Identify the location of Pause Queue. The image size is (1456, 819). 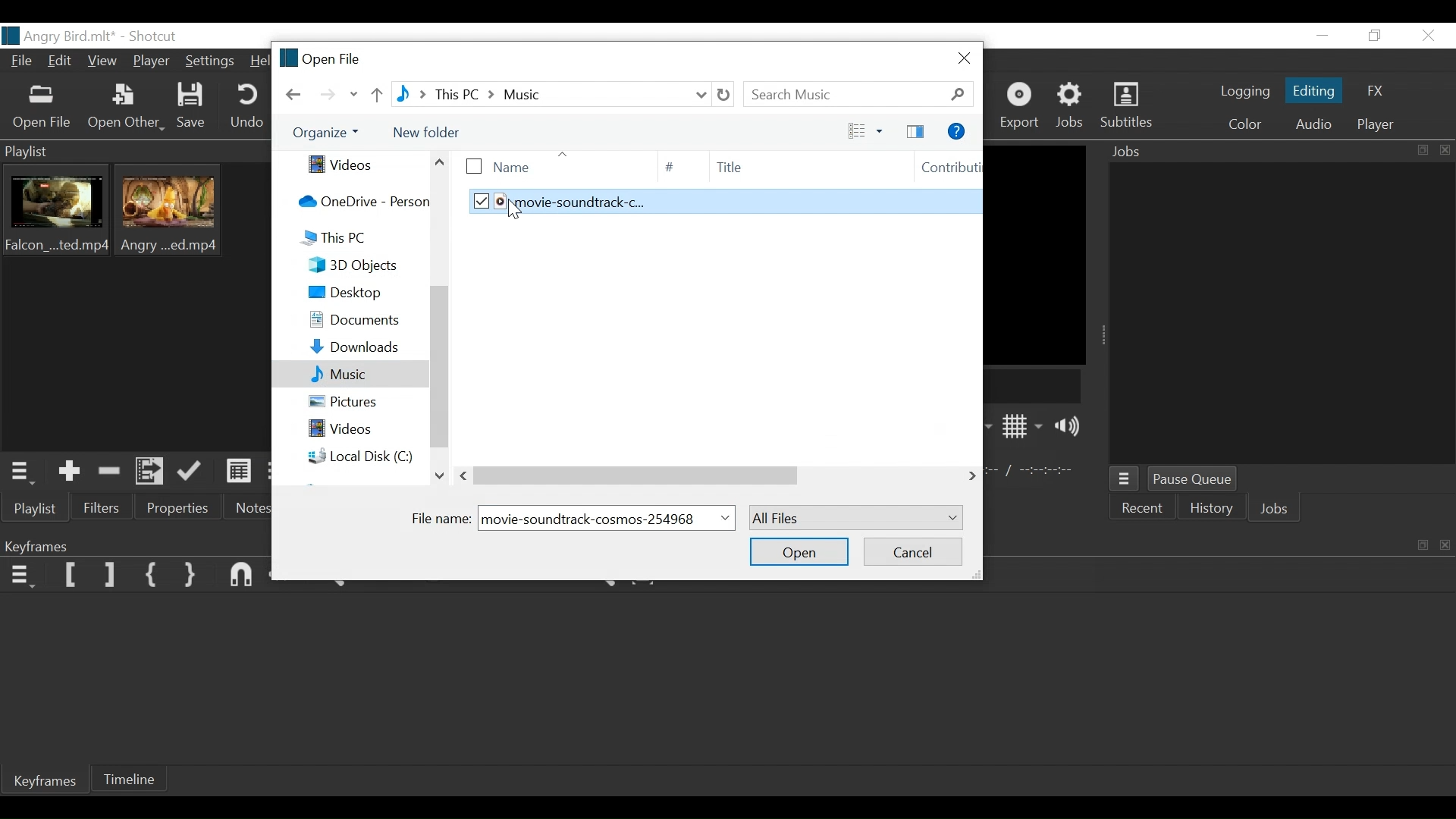
(1191, 479).